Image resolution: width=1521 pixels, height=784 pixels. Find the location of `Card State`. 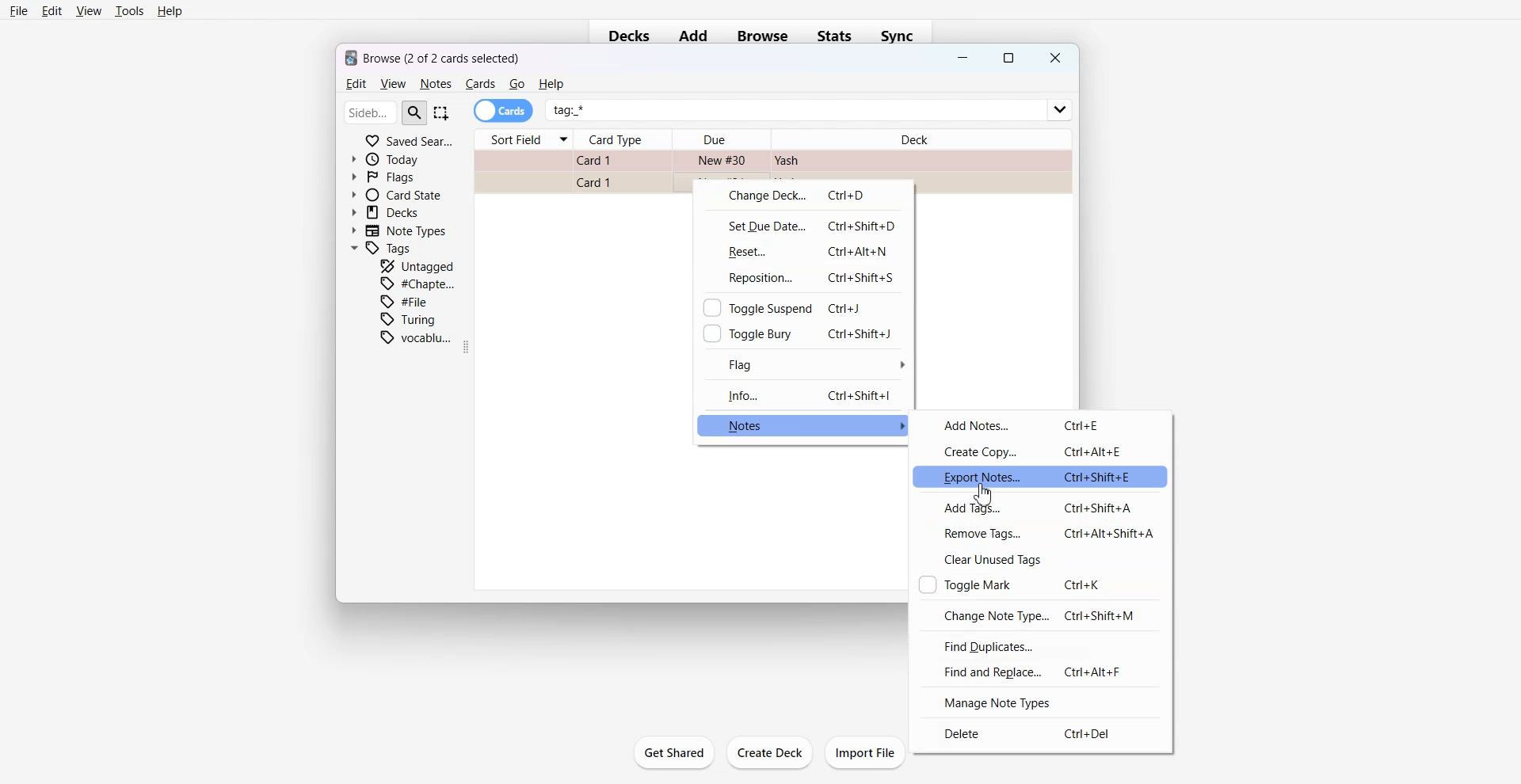

Card State is located at coordinates (395, 194).